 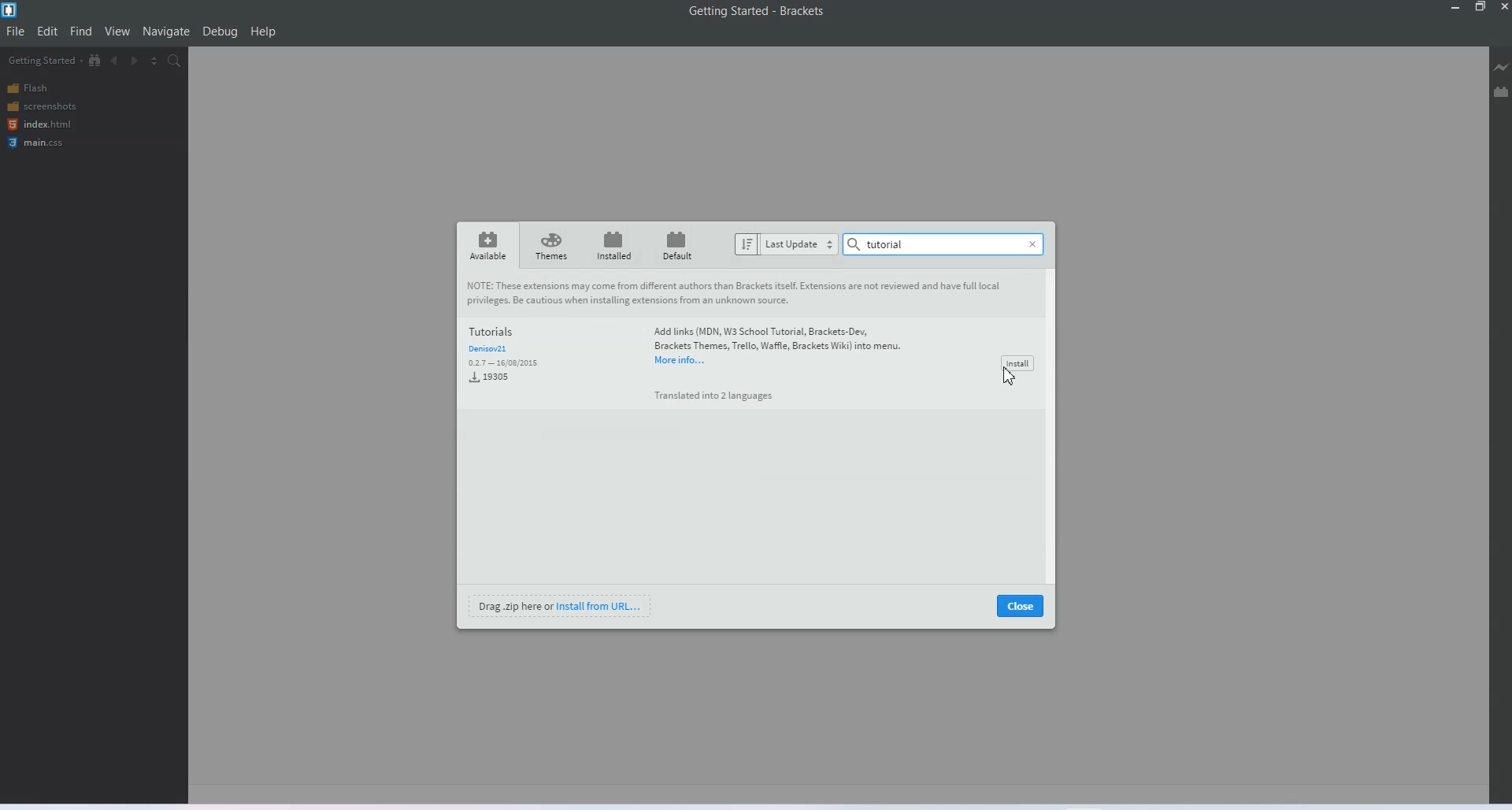 What do you see at coordinates (82, 32) in the screenshot?
I see `Find` at bounding box center [82, 32].